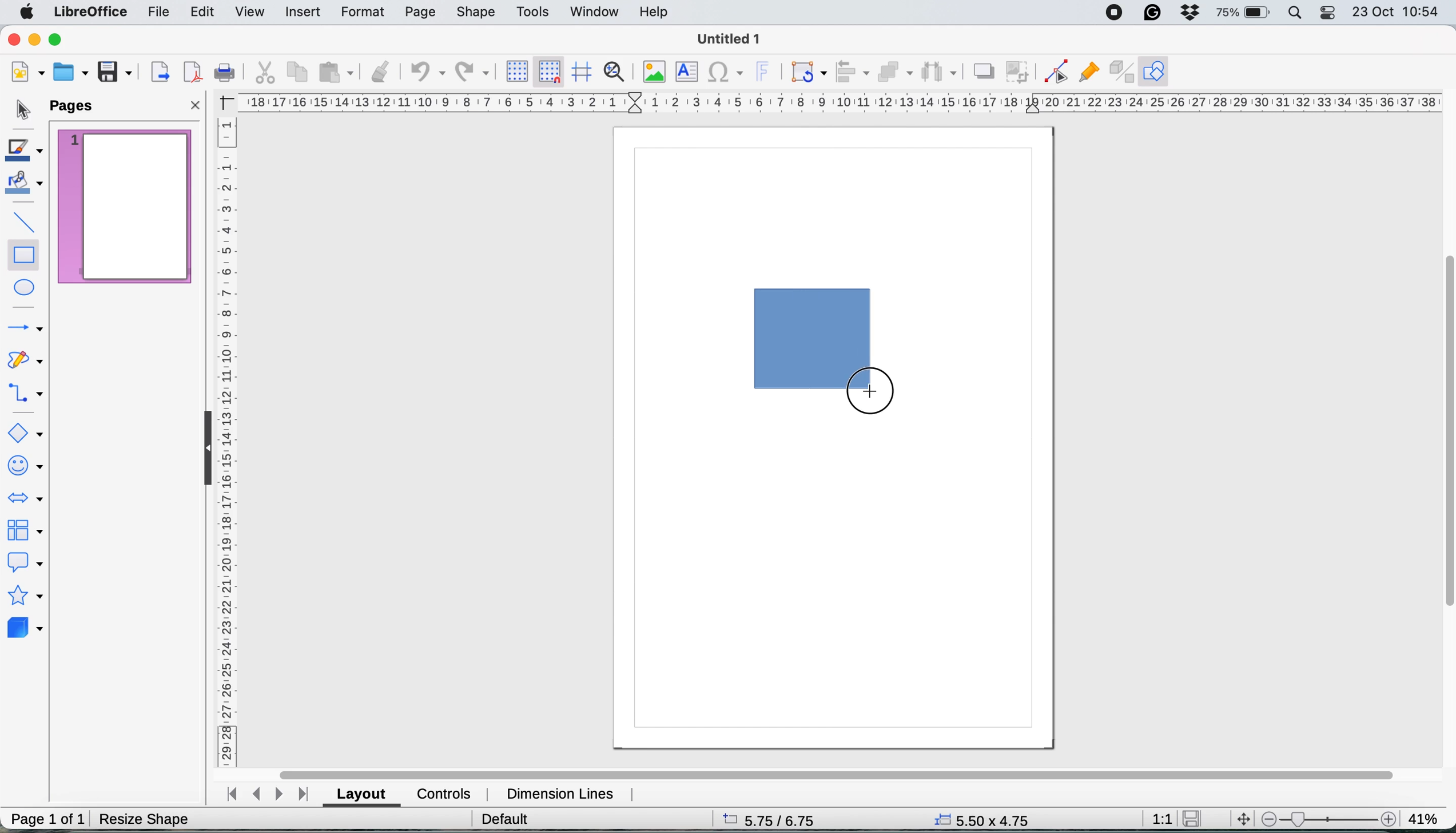 The height and width of the screenshot is (833, 1456). I want to click on open, so click(70, 73).